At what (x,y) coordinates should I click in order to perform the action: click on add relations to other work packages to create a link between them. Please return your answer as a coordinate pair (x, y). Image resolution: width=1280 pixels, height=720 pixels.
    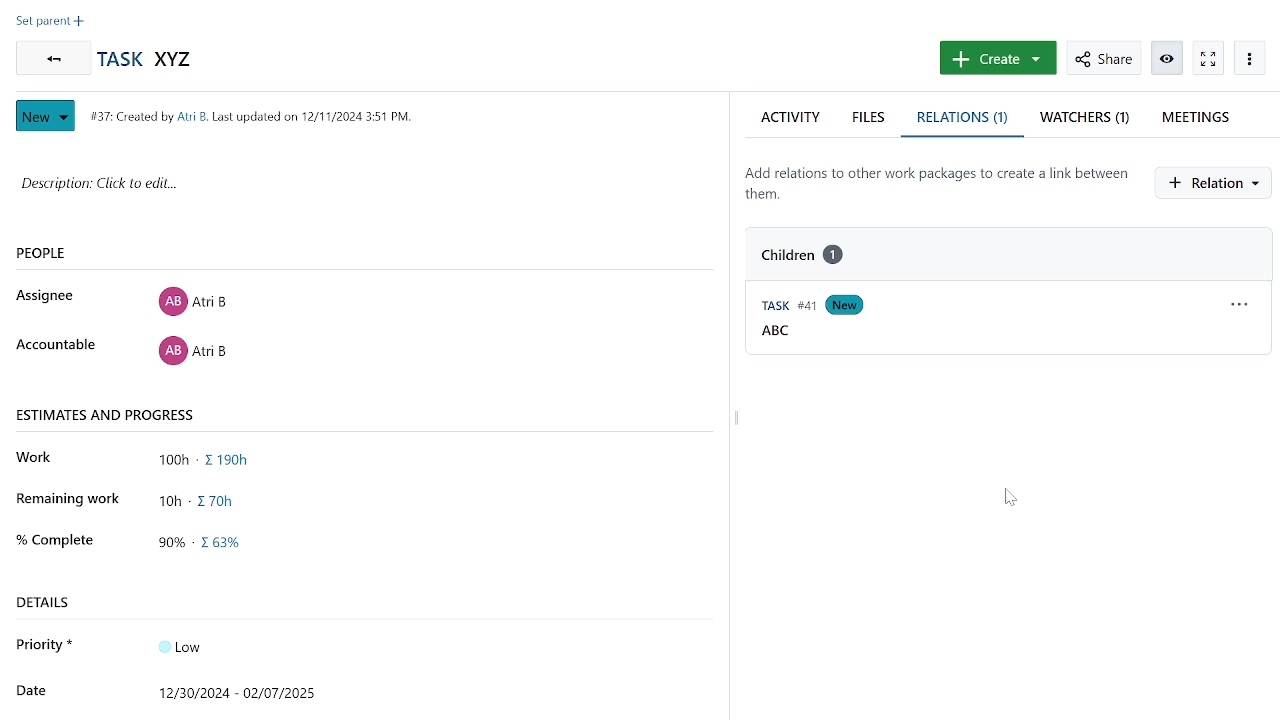
    Looking at the image, I should click on (936, 183).